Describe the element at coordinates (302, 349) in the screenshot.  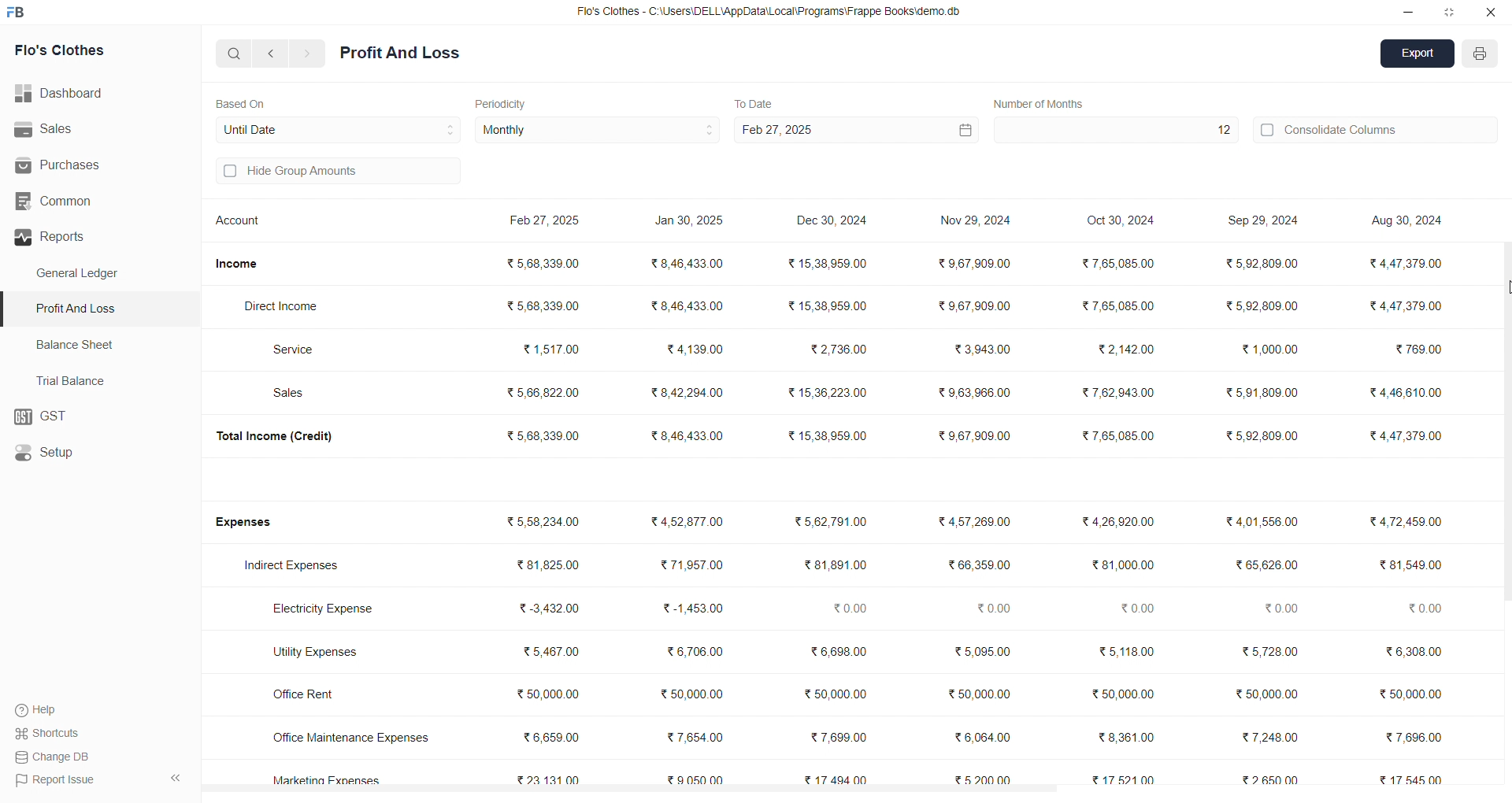
I see `Service` at that location.